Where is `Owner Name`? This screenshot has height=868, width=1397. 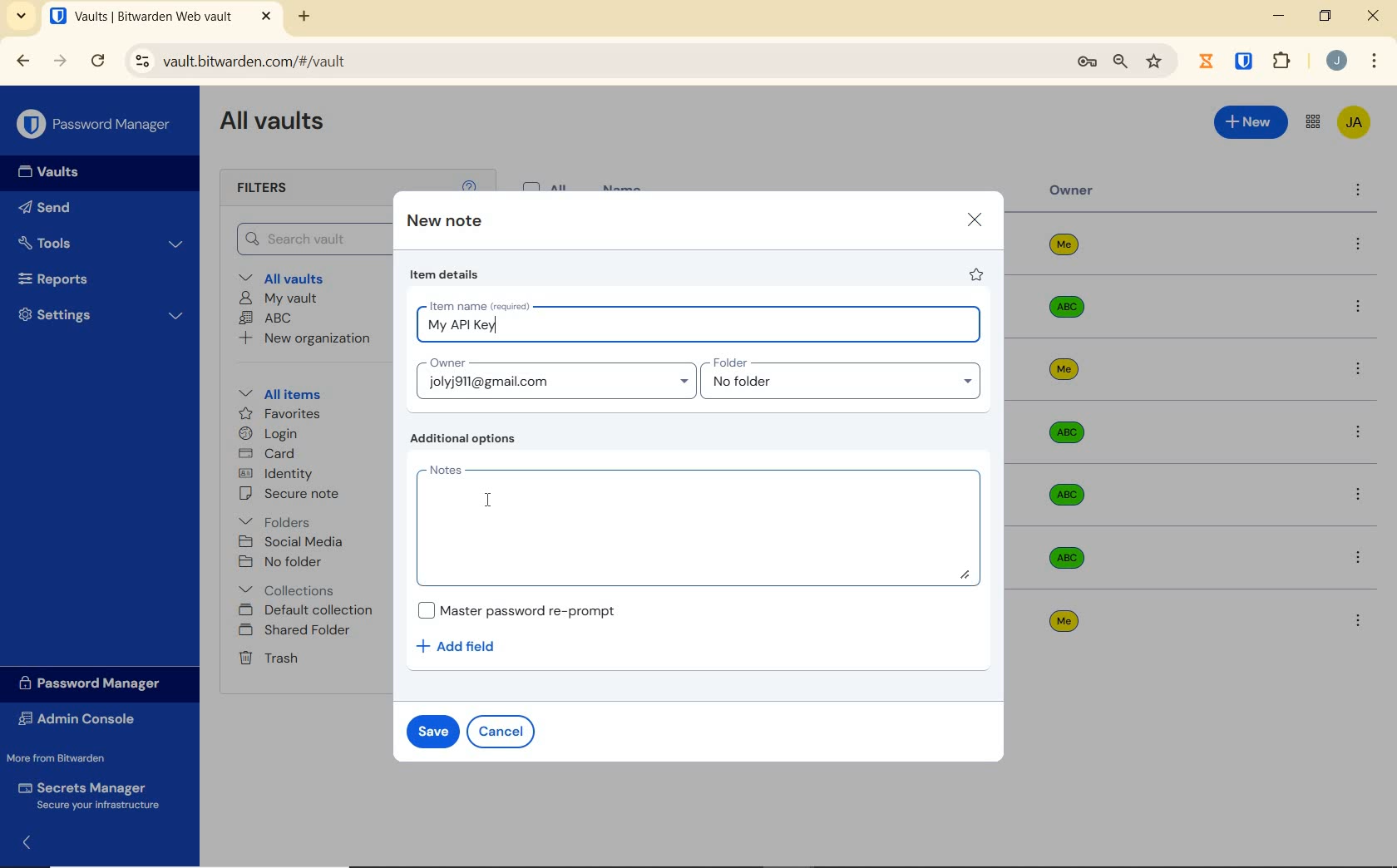 Owner Name is located at coordinates (1064, 433).